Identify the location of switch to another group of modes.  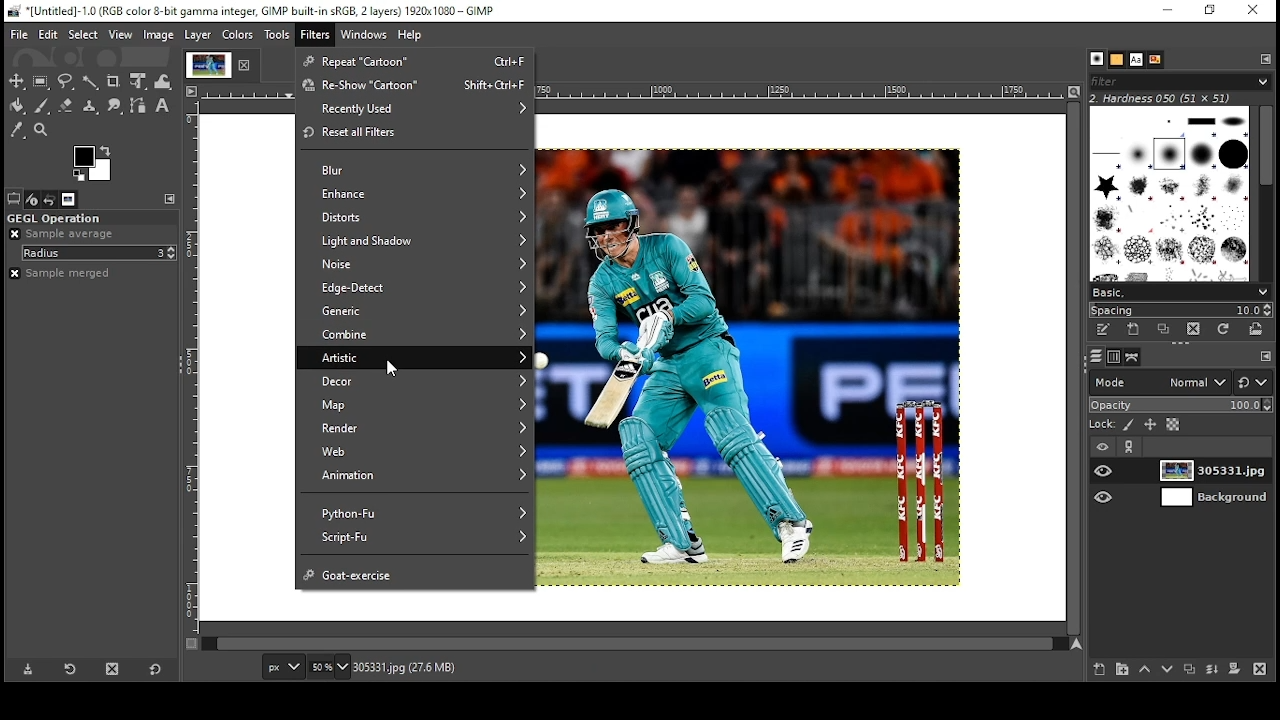
(1255, 382).